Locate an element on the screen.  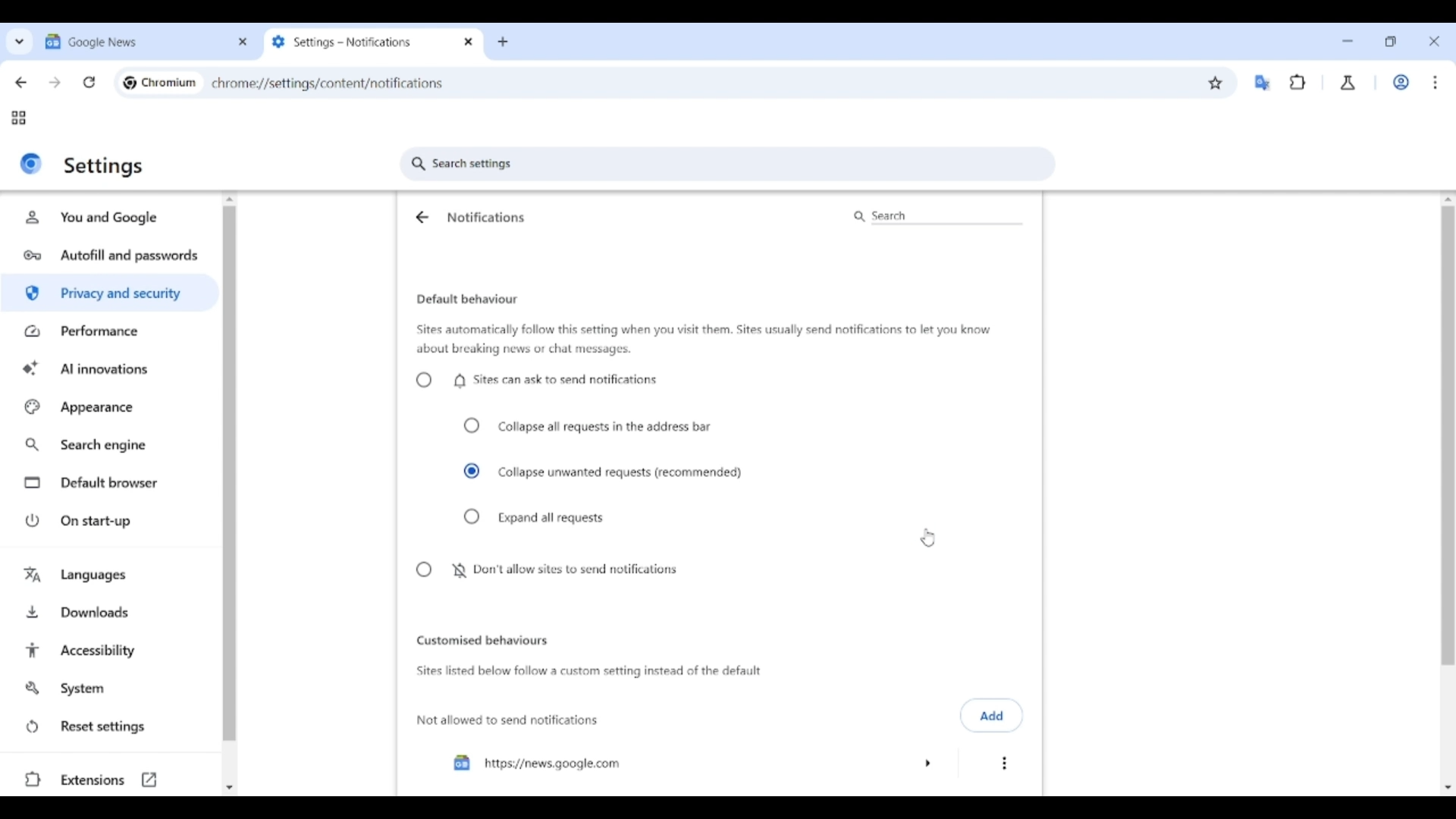
Collapse all requests in the address bar is located at coordinates (588, 426).